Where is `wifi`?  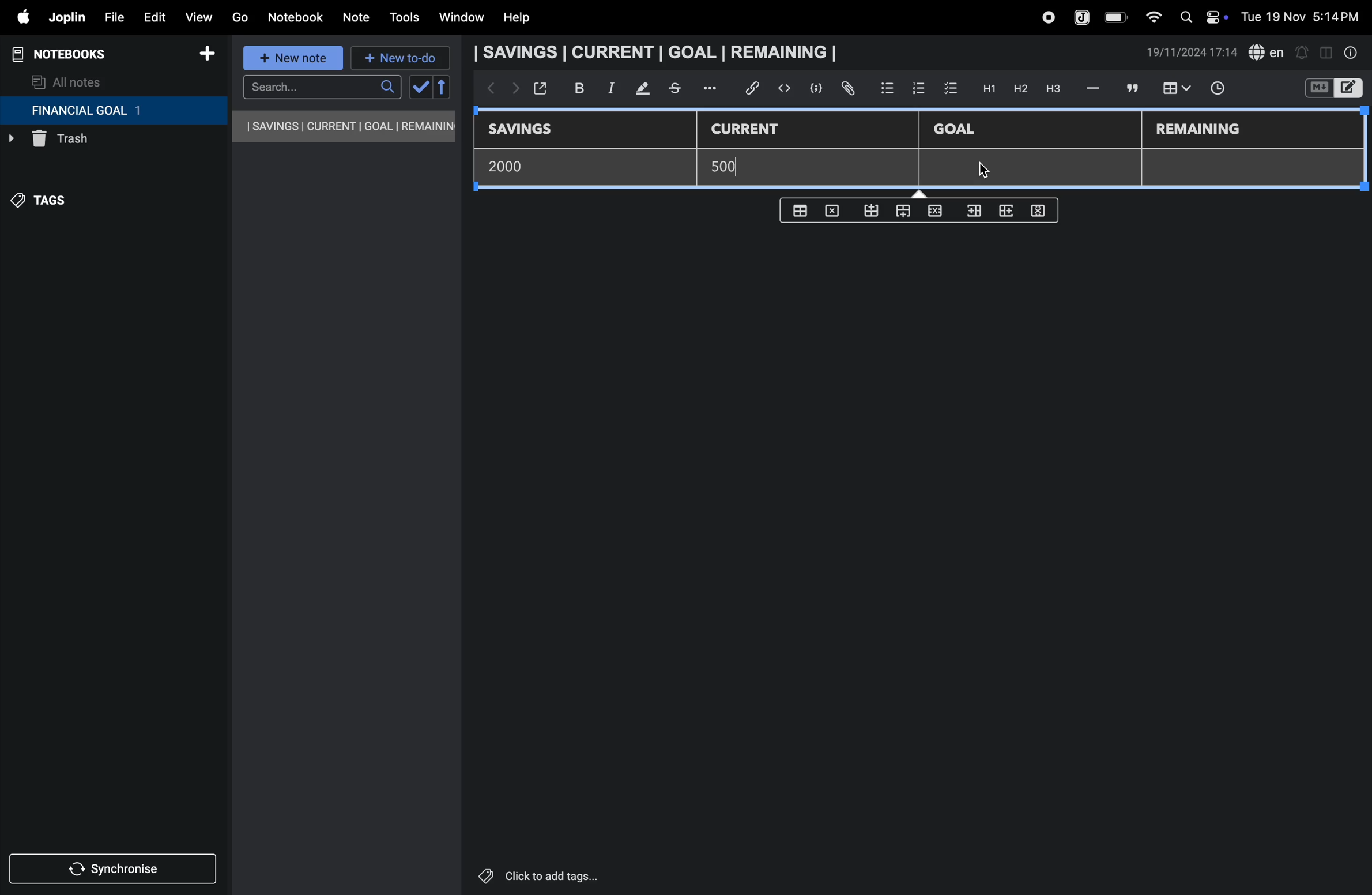 wifi is located at coordinates (1150, 17).